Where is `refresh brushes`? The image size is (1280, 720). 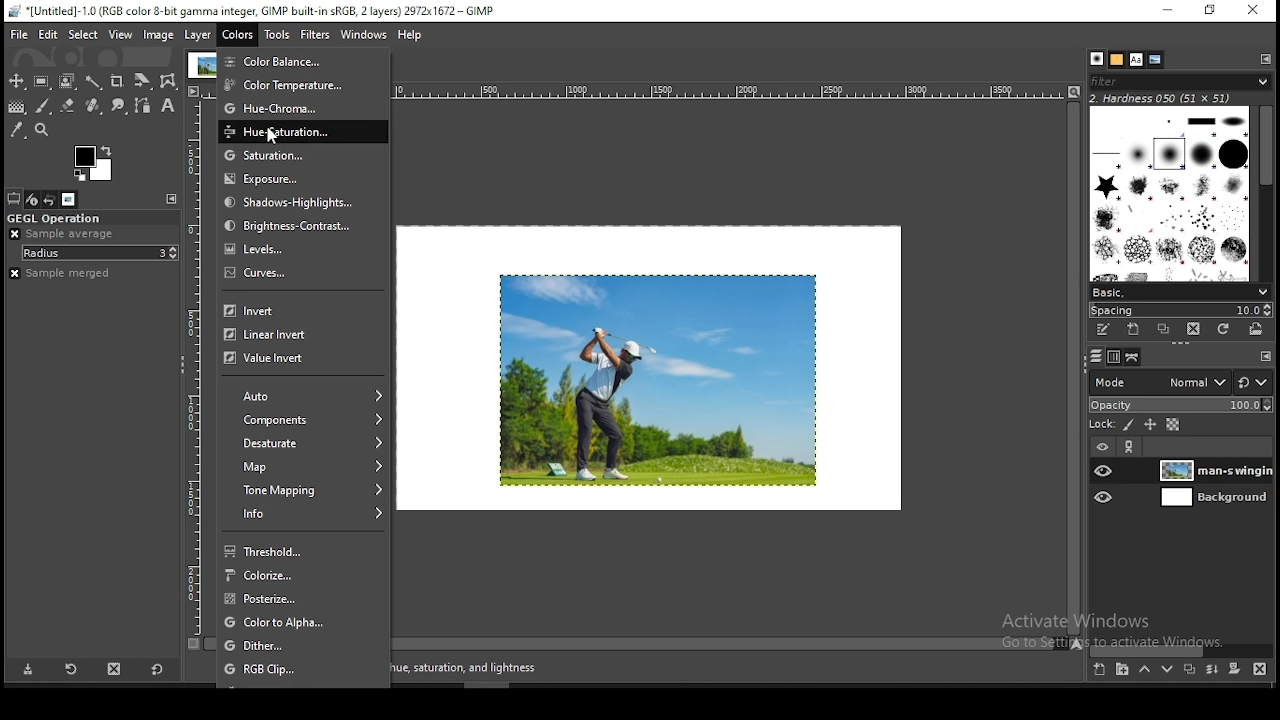 refresh brushes is located at coordinates (1224, 329).